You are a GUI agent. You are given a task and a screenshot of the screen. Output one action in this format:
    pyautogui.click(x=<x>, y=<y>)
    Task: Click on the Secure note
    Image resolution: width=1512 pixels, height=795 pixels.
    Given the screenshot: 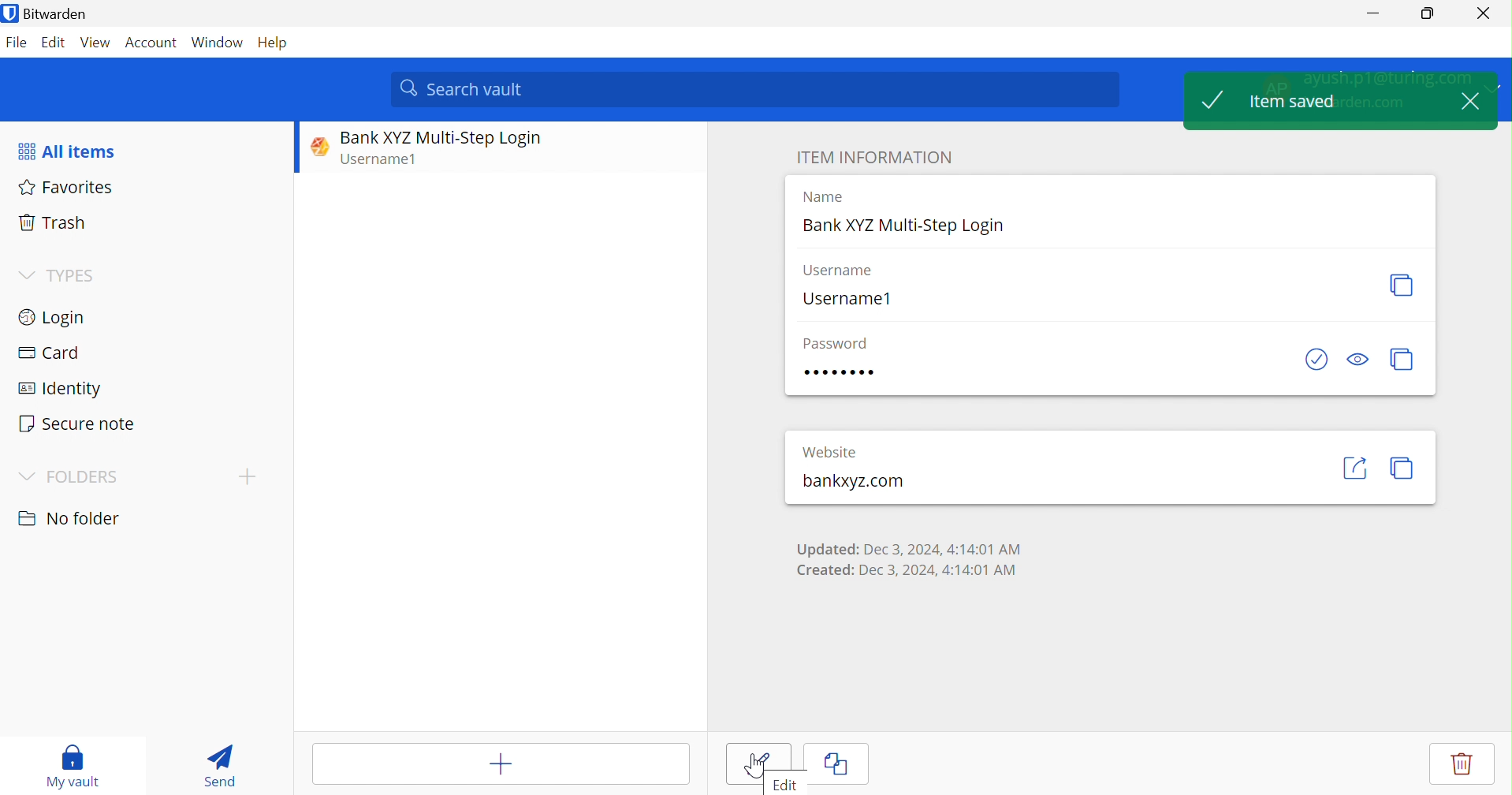 What is the action you would take?
    pyautogui.click(x=77, y=424)
    